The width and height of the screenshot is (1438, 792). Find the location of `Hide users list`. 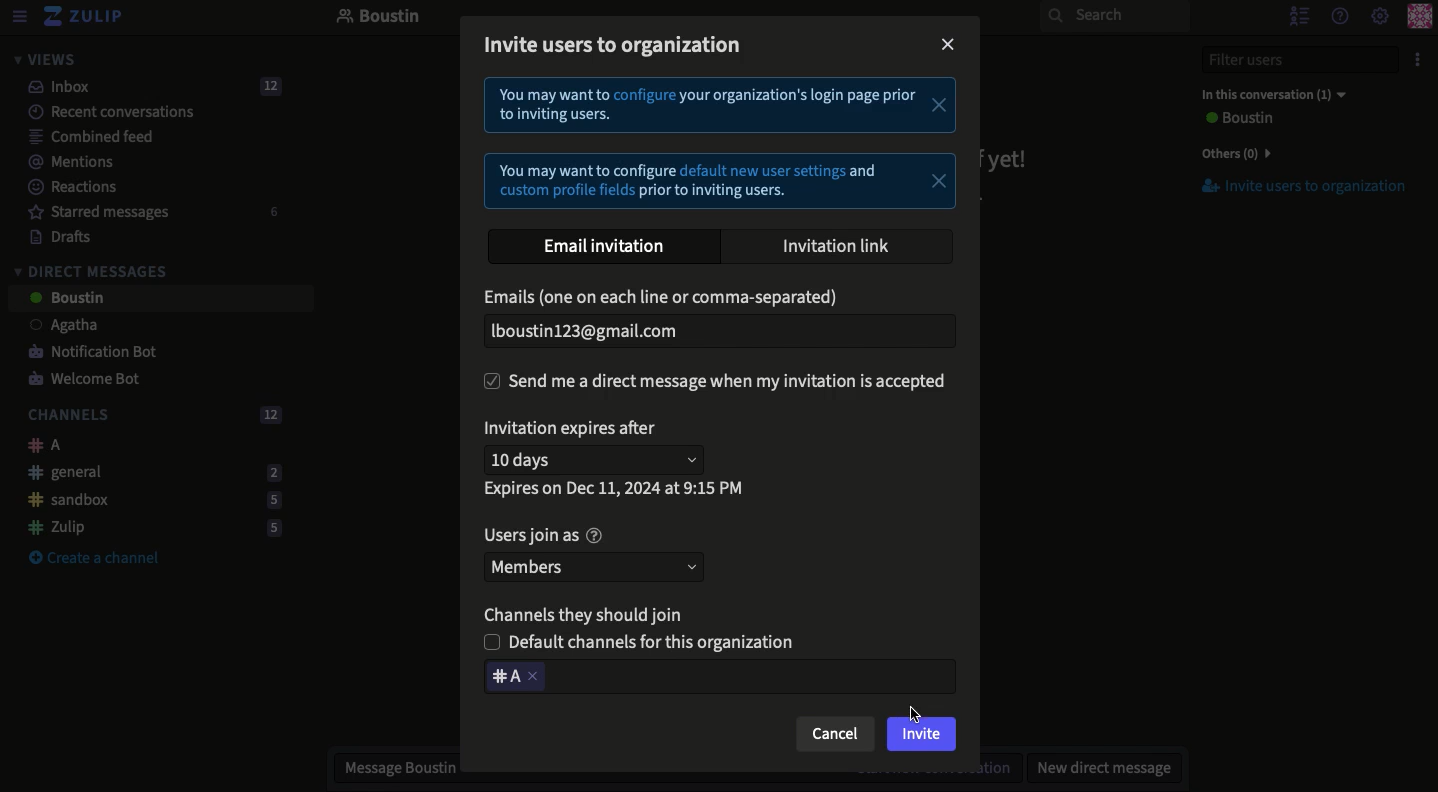

Hide users list is located at coordinates (1297, 15).